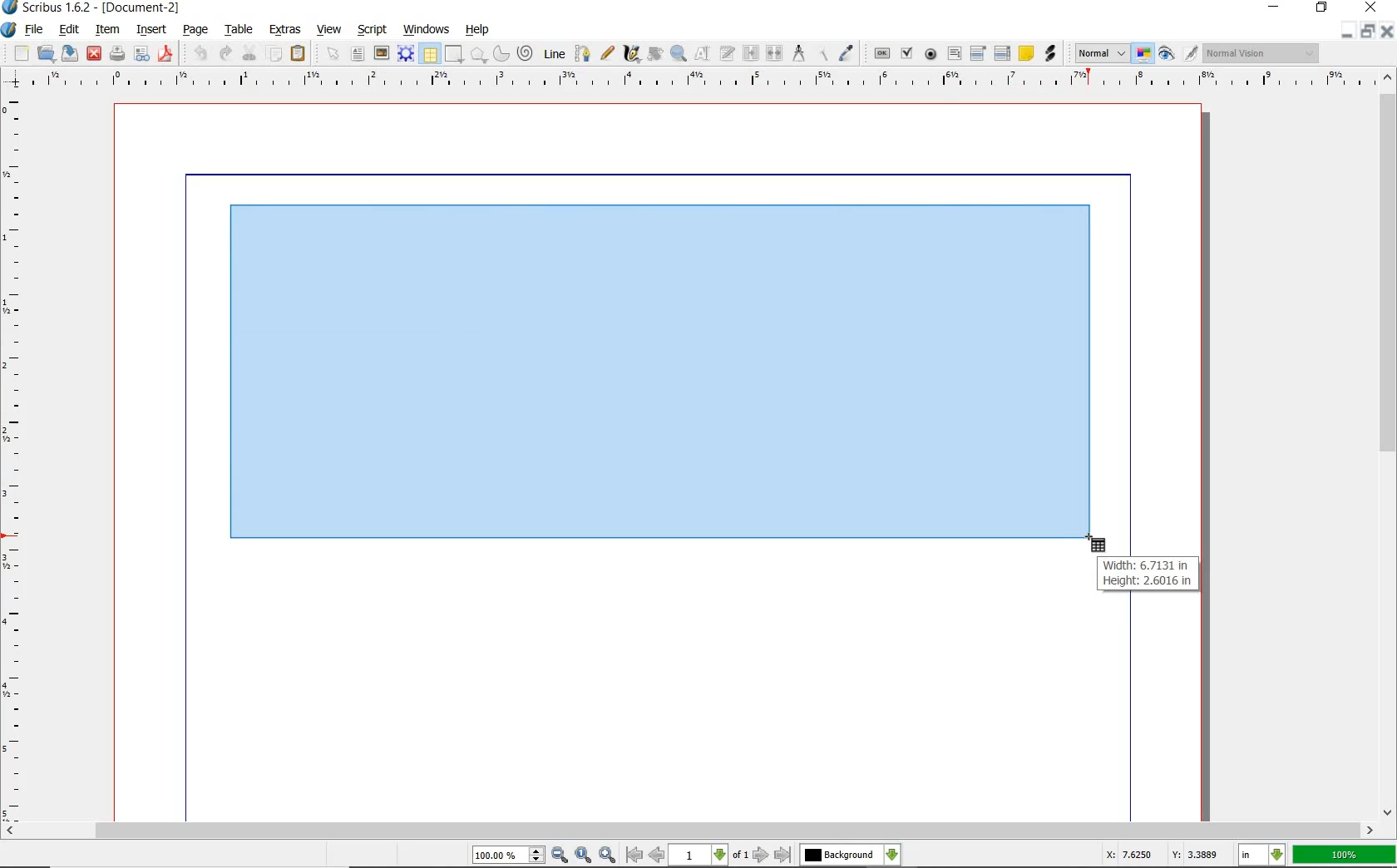 The width and height of the screenshot is (1397, 868). I want to click on windows, so click(428, 31).